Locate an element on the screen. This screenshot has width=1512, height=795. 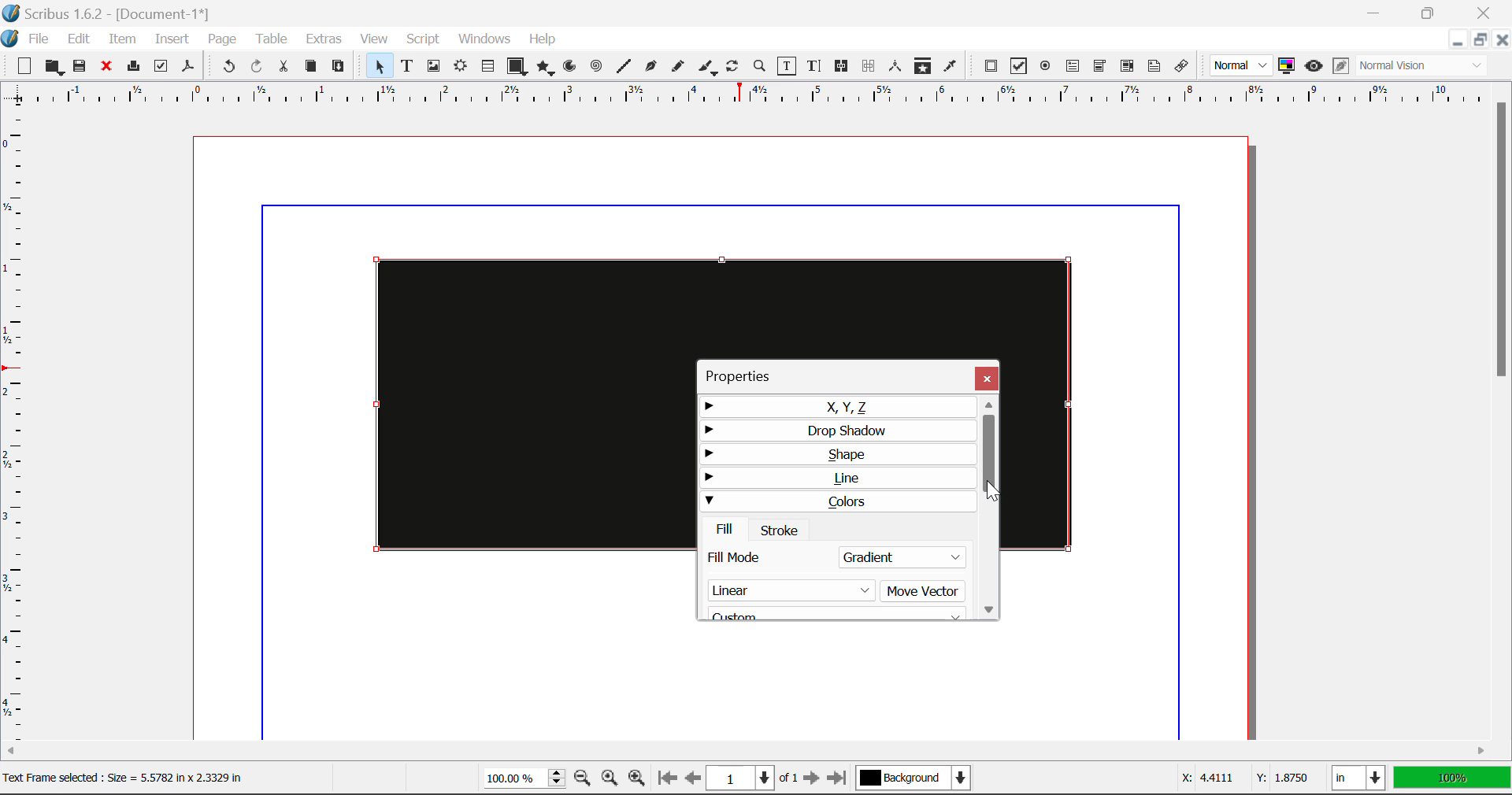
Close is located at coordinates (987, 378).